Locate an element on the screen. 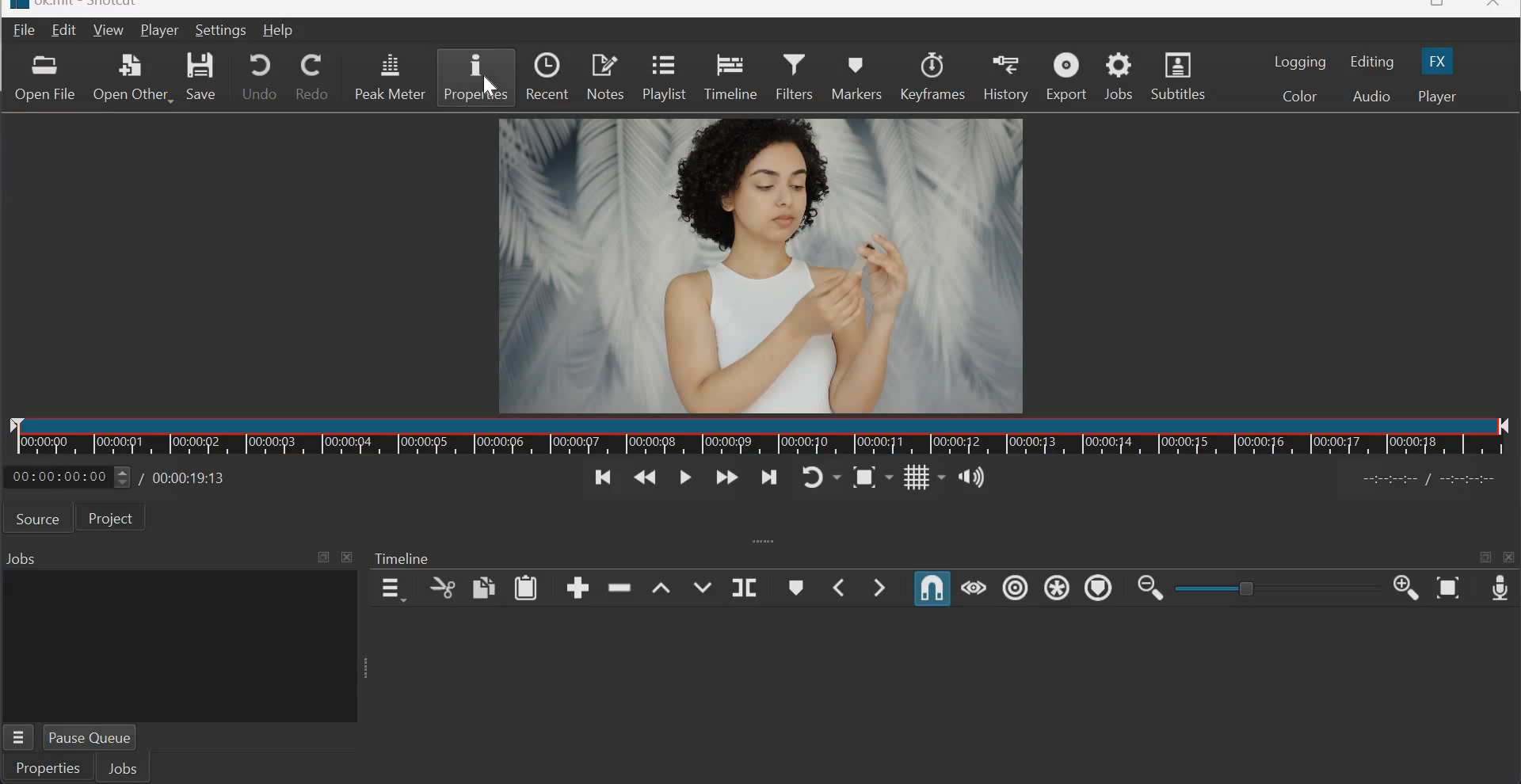 The height and width of the screenshot is (784, 1521). Markers is located at coordinates (859, 77).